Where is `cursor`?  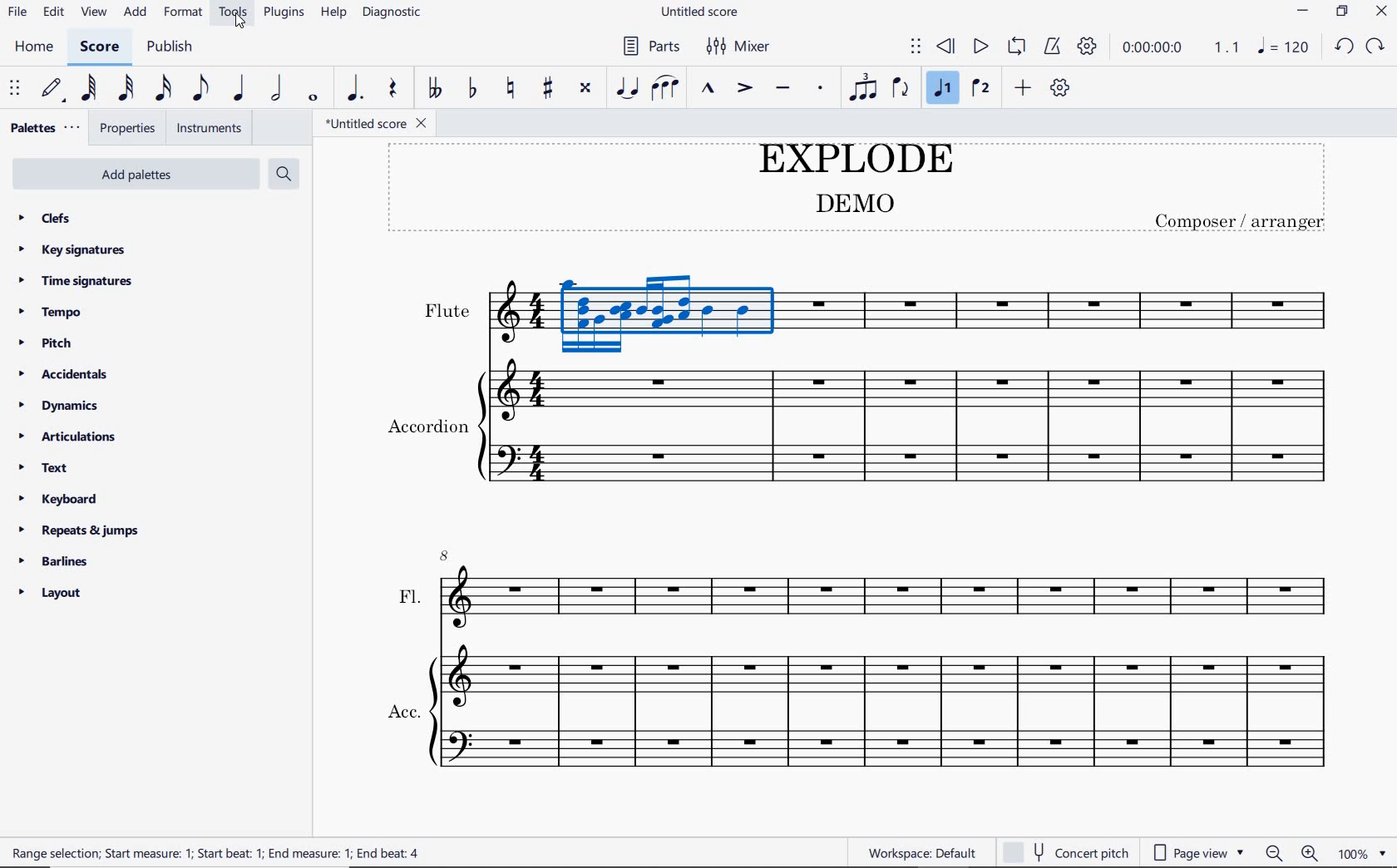
cursor is located at coordinates (239, 26).